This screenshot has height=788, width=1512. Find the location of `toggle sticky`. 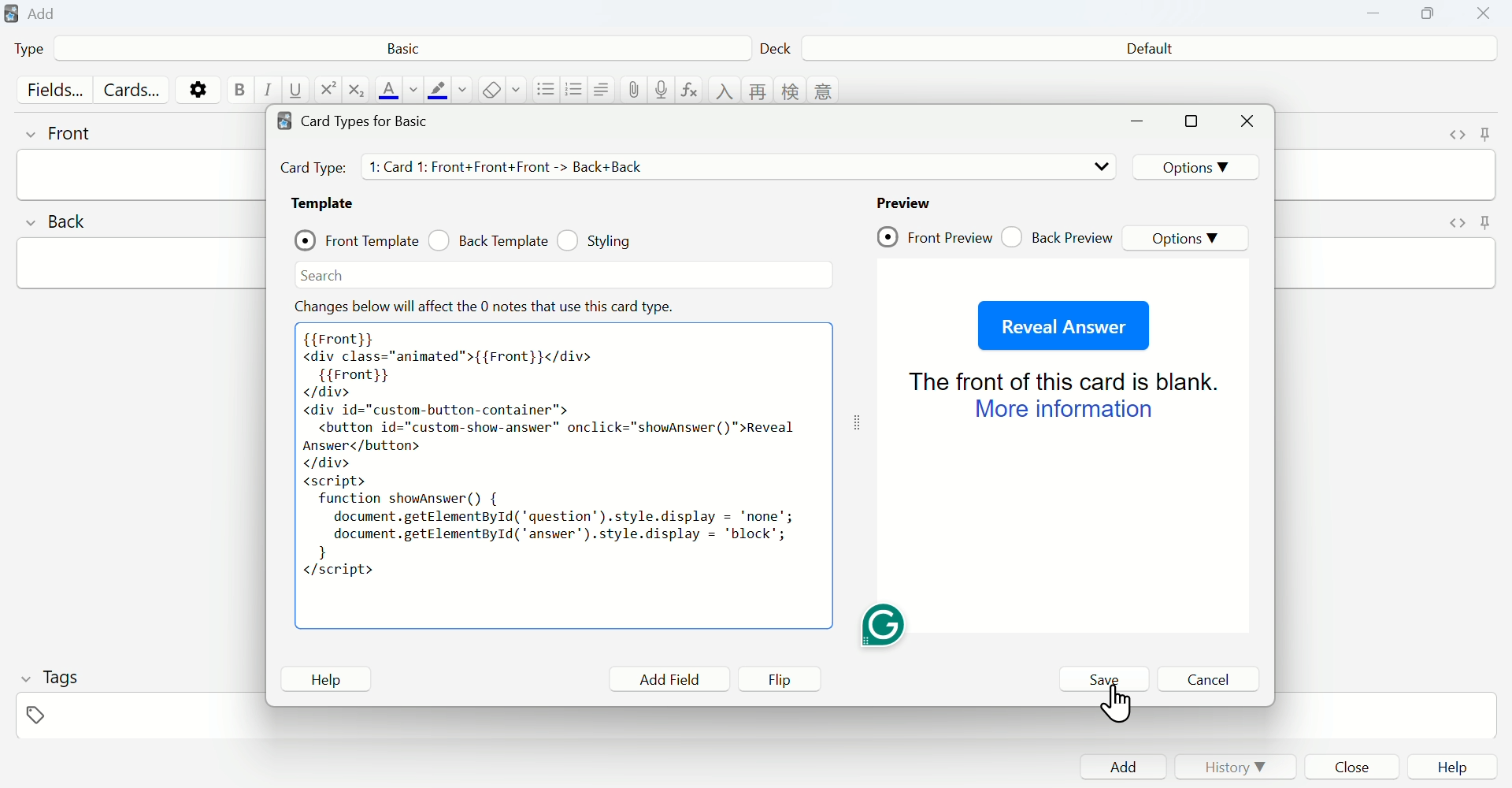

toggle sticky is located at coordinates (1485, 134).